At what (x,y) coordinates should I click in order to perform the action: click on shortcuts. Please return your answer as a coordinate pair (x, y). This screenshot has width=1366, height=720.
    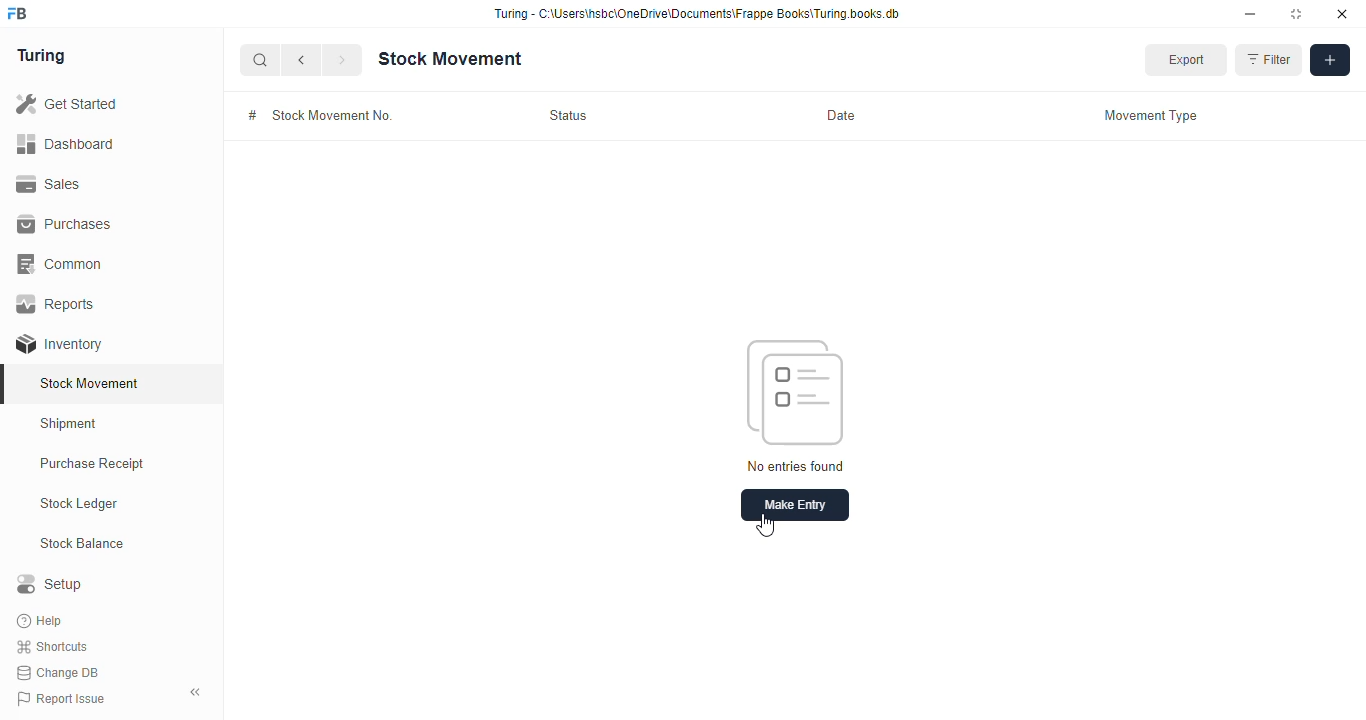
    Looking at the image, I should click on (52, 647).